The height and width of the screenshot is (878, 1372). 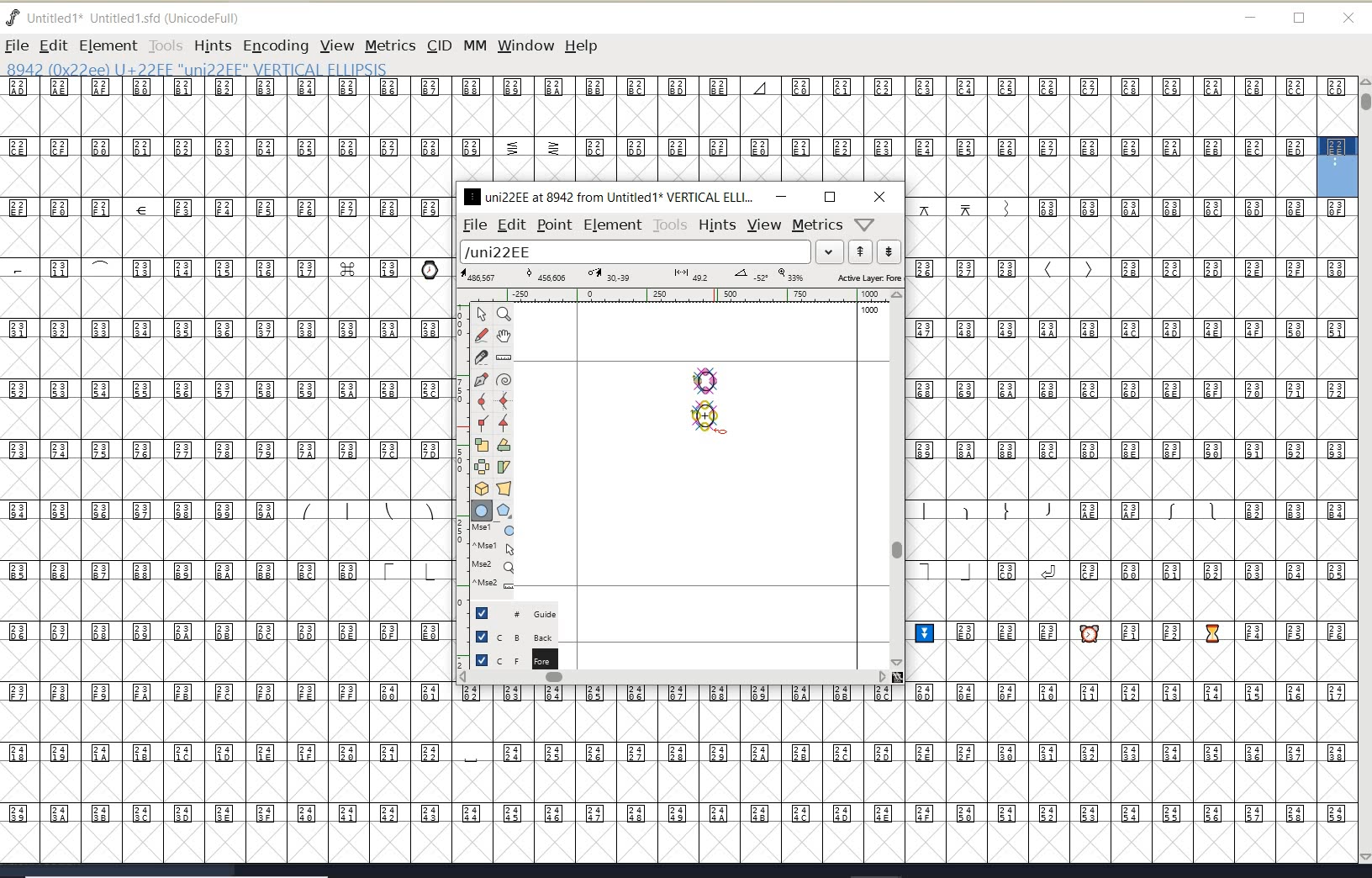 What do you see at coordinates (609, 196) in the screenshot?
I see `uni22EE at 8942 from Untitled1 VERTICAL ELLIPSE` at bounding box center [609, 196].